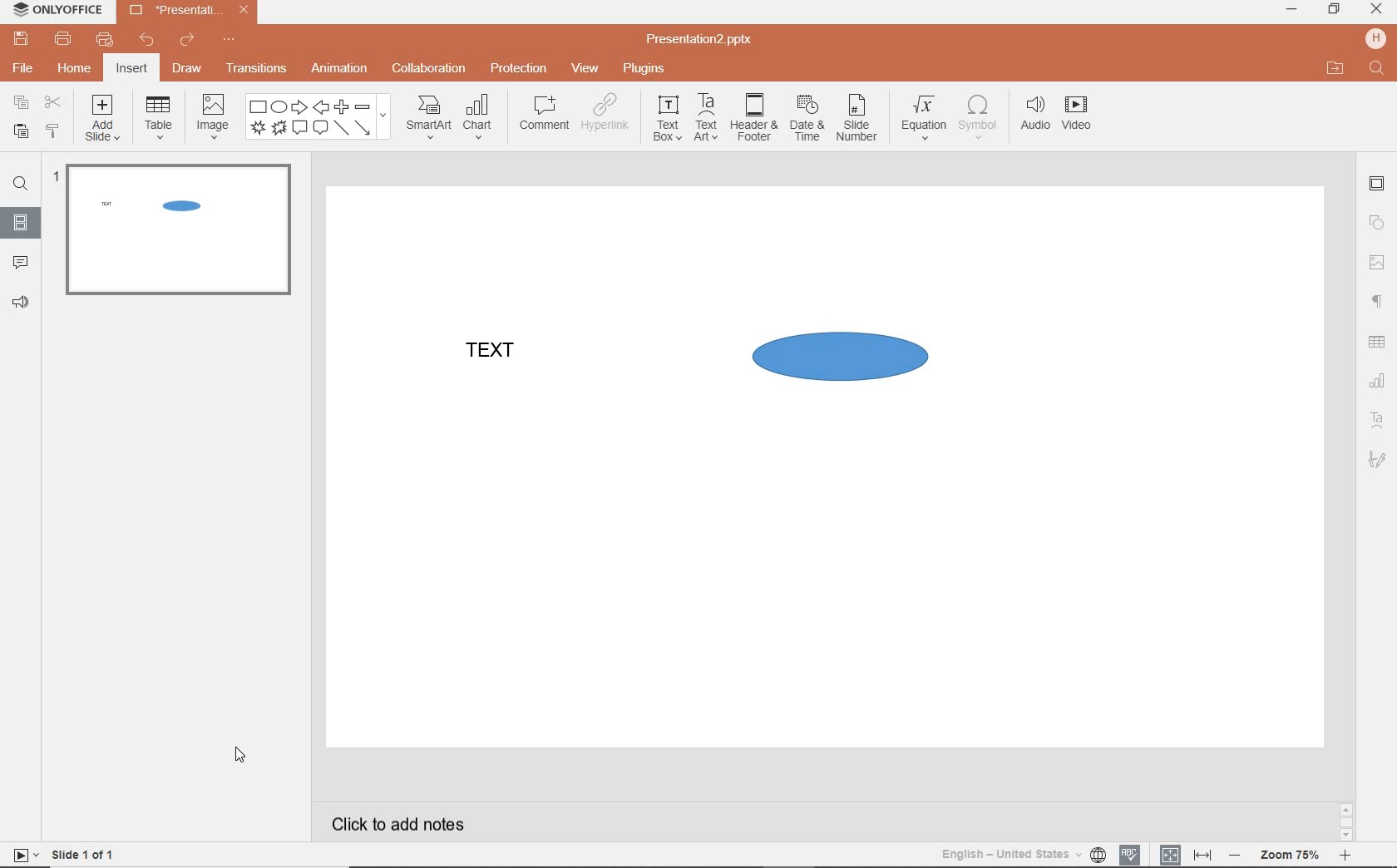  I want to click on save, so click(18, 38).